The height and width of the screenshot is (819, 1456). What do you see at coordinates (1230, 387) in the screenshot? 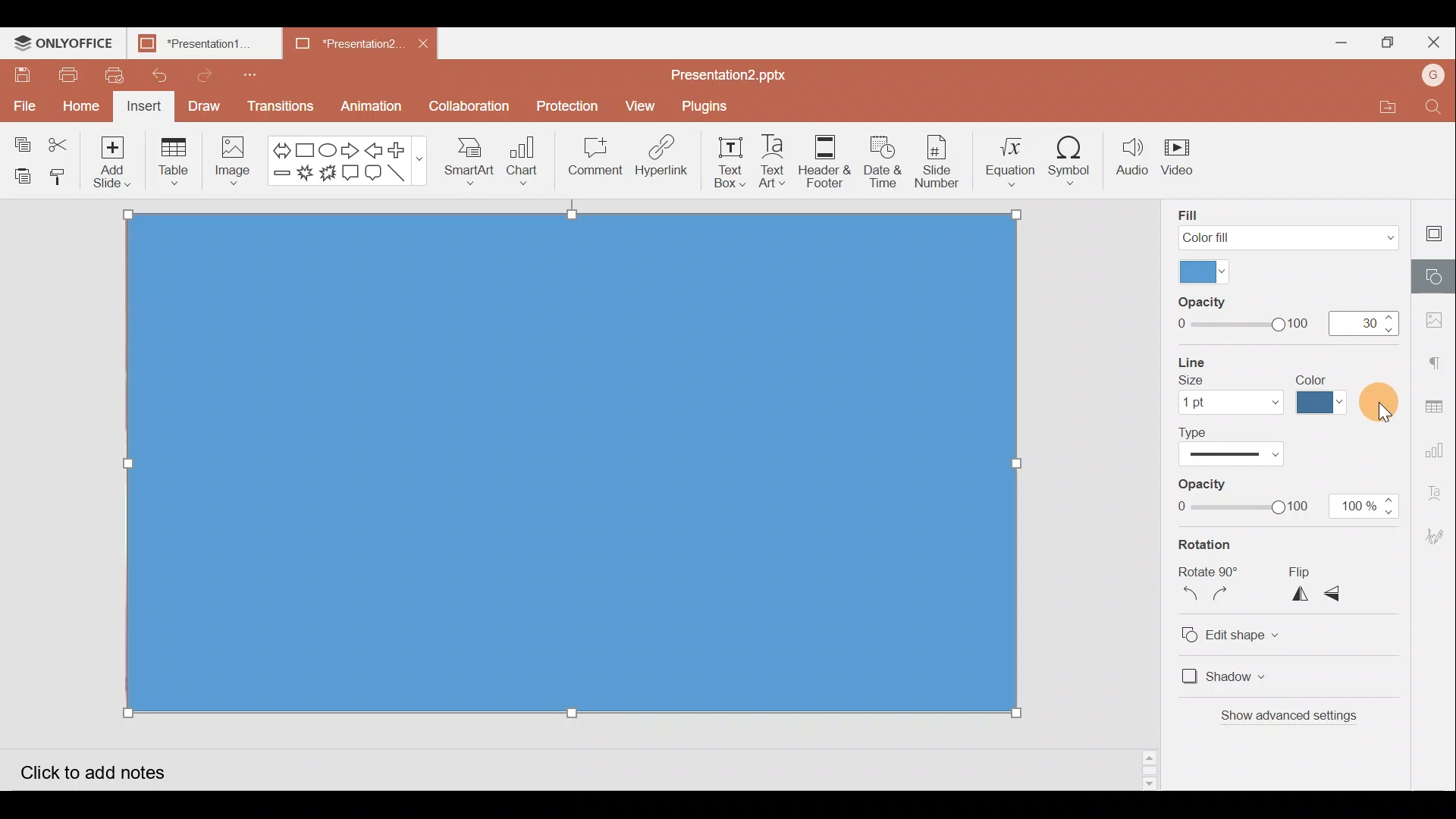
I see `Line size` at bounding box center [1230, 387].